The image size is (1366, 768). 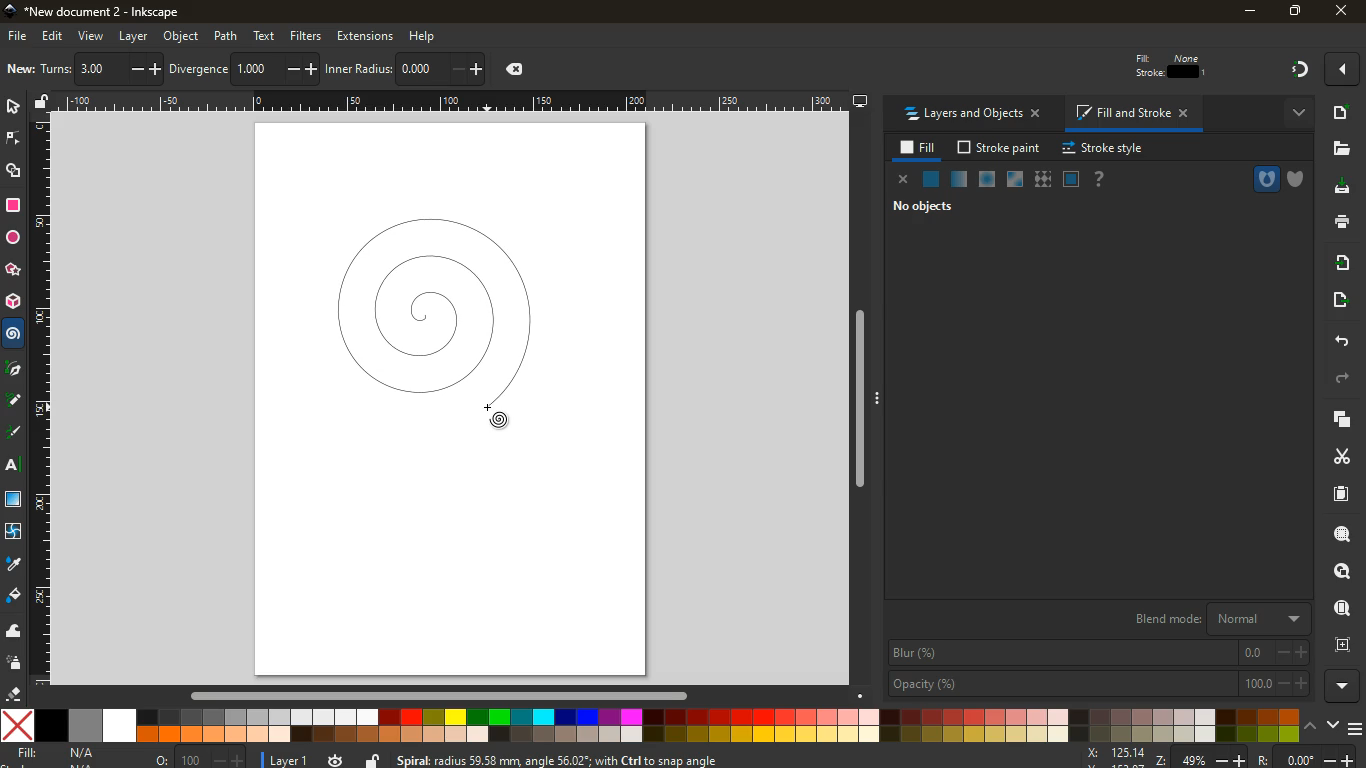 I want to click on send, so click(x=1340, y=299).